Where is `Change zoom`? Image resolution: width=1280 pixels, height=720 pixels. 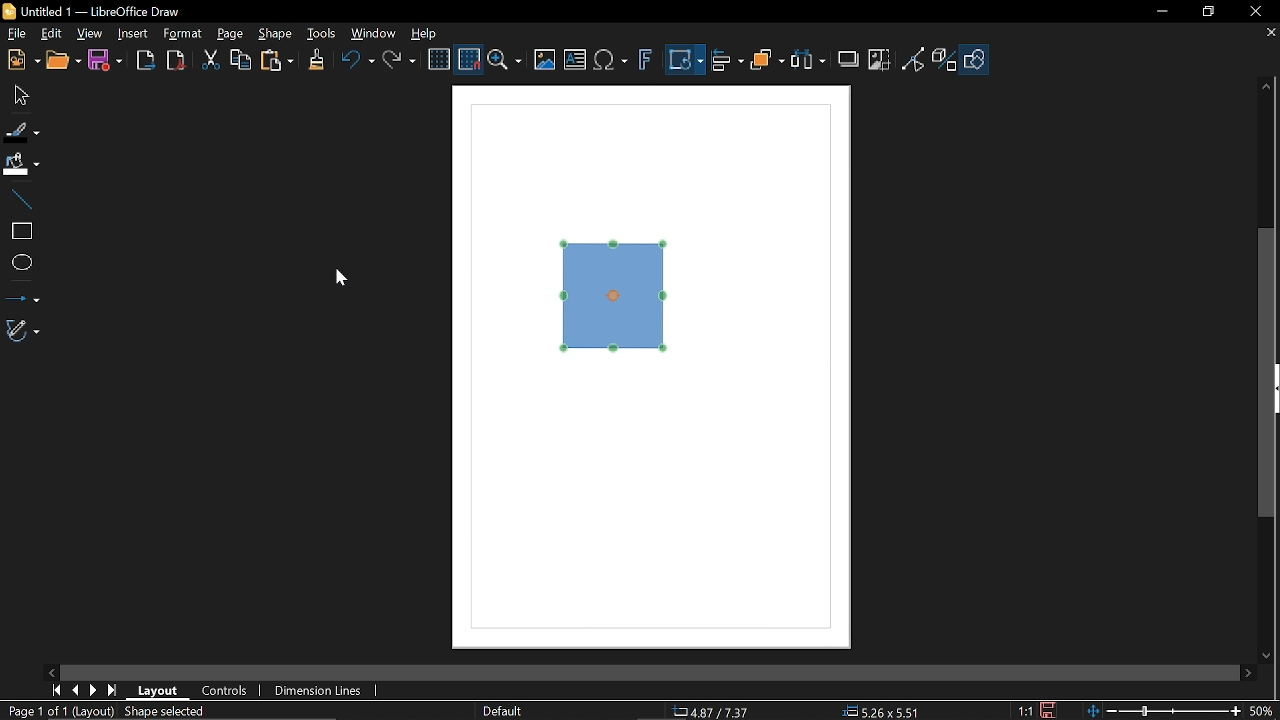
Change zoom is located at coordinates (1162, 711).